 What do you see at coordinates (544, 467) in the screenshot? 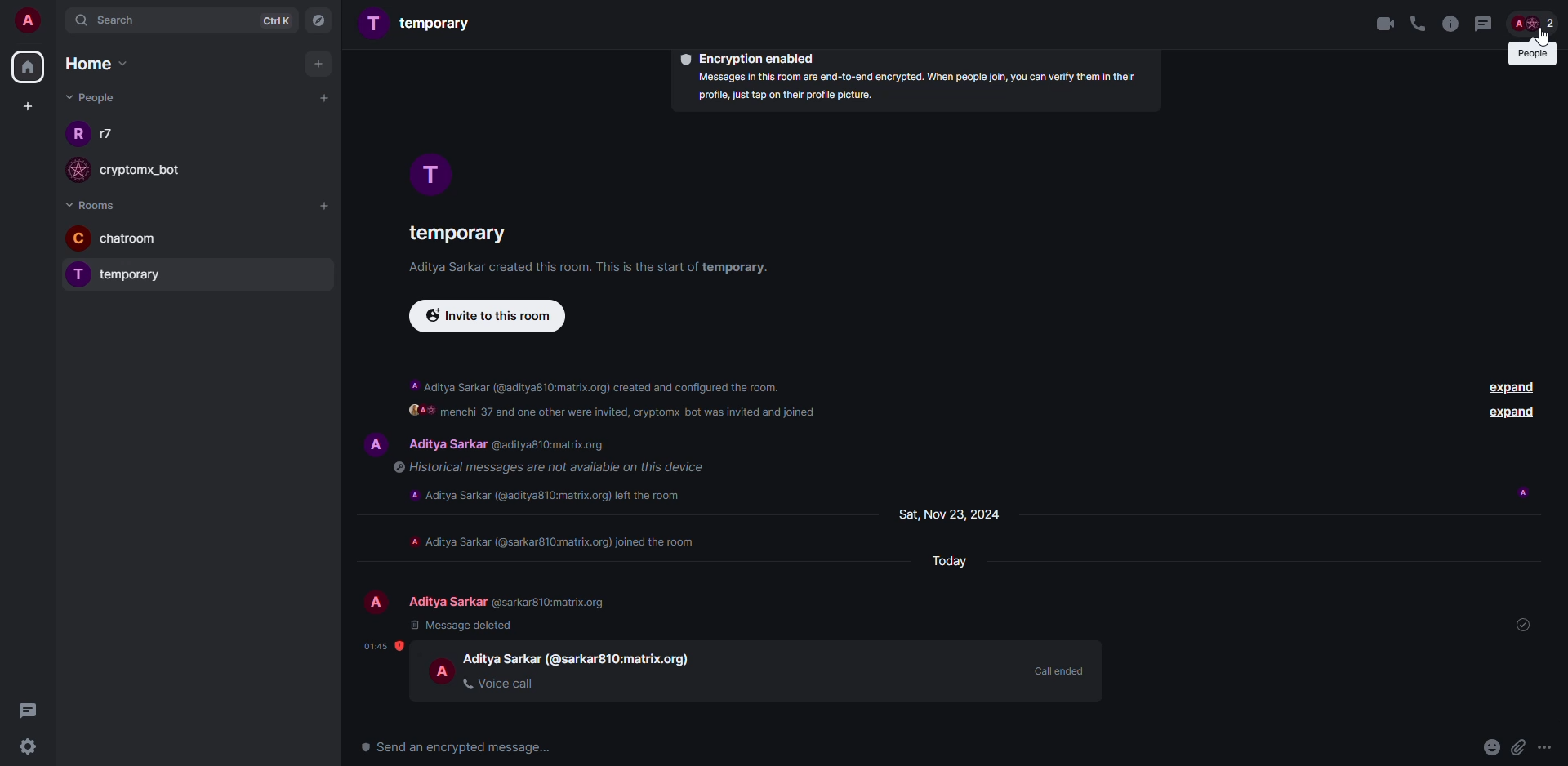
I see `info` at bounding box center [544, 467].